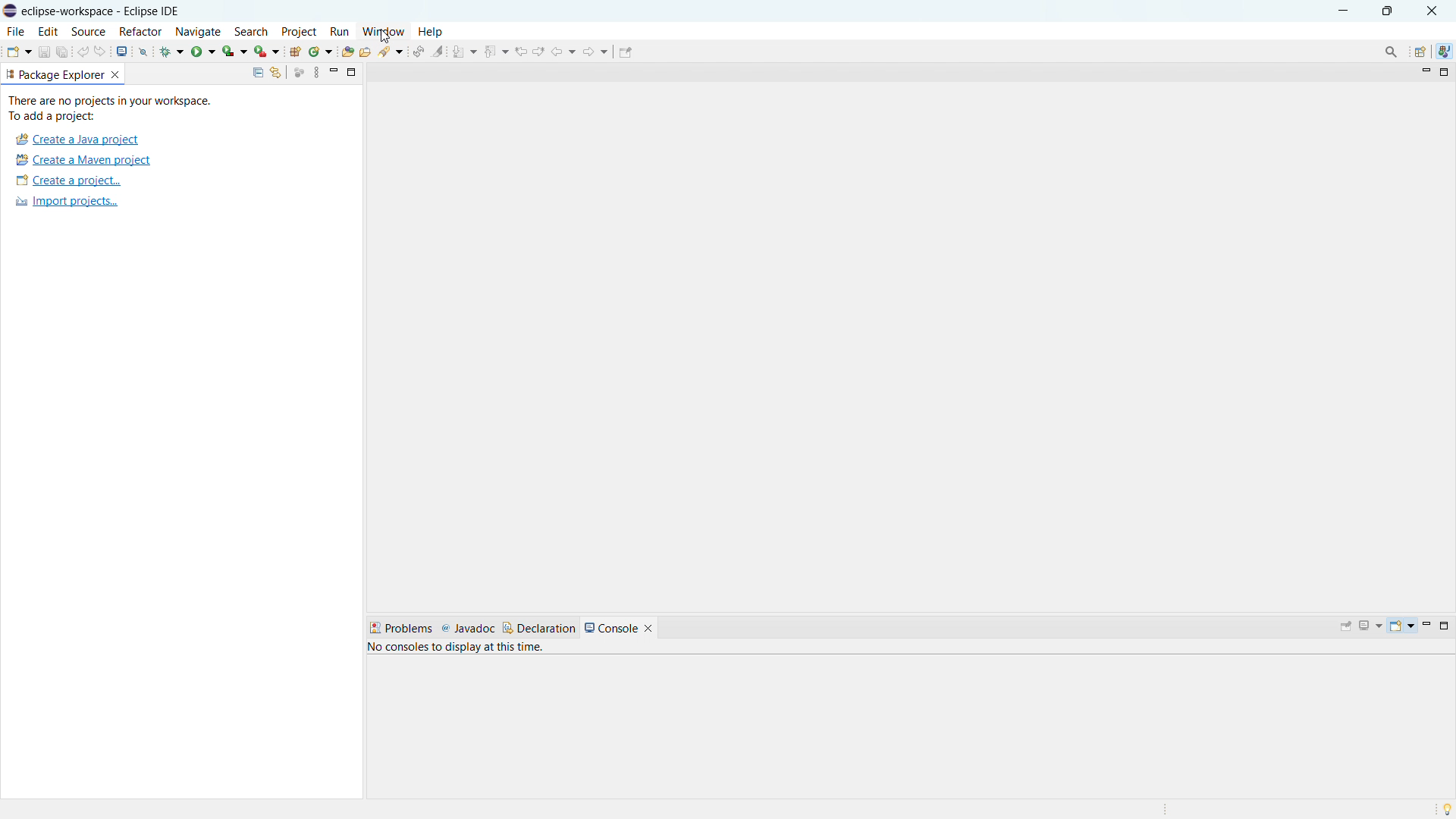 Image resolution: width=1456 pixels, height=819 pixels. I want to click on open console, so click(121, 52).